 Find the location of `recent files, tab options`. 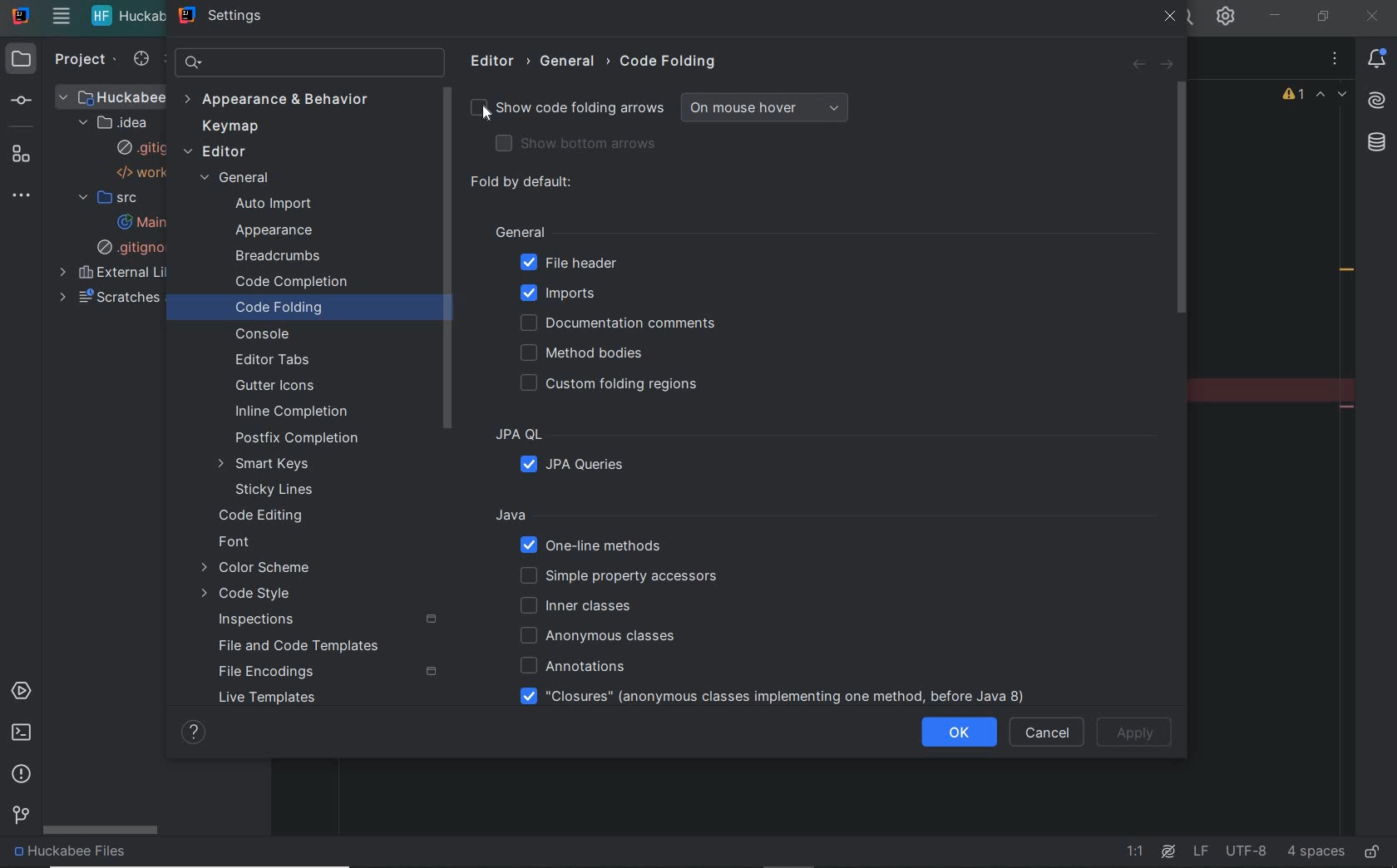

recent files, tab options is located at coordinates (1336, 58).